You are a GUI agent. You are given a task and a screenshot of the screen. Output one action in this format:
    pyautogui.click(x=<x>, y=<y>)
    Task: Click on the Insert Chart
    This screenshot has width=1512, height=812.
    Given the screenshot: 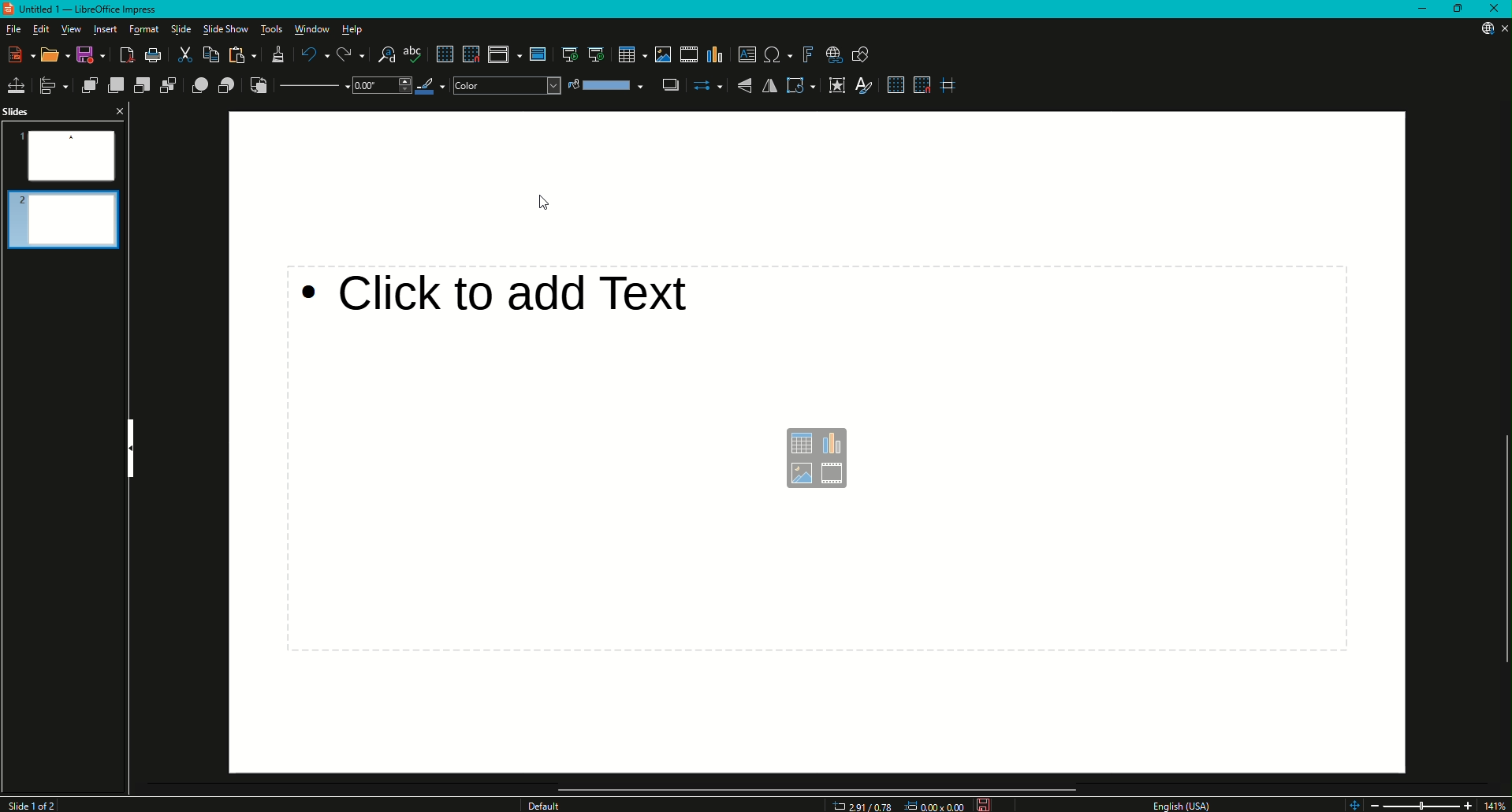 What is the action you would take?
    pyautogui.click(x=716, y=54)
    